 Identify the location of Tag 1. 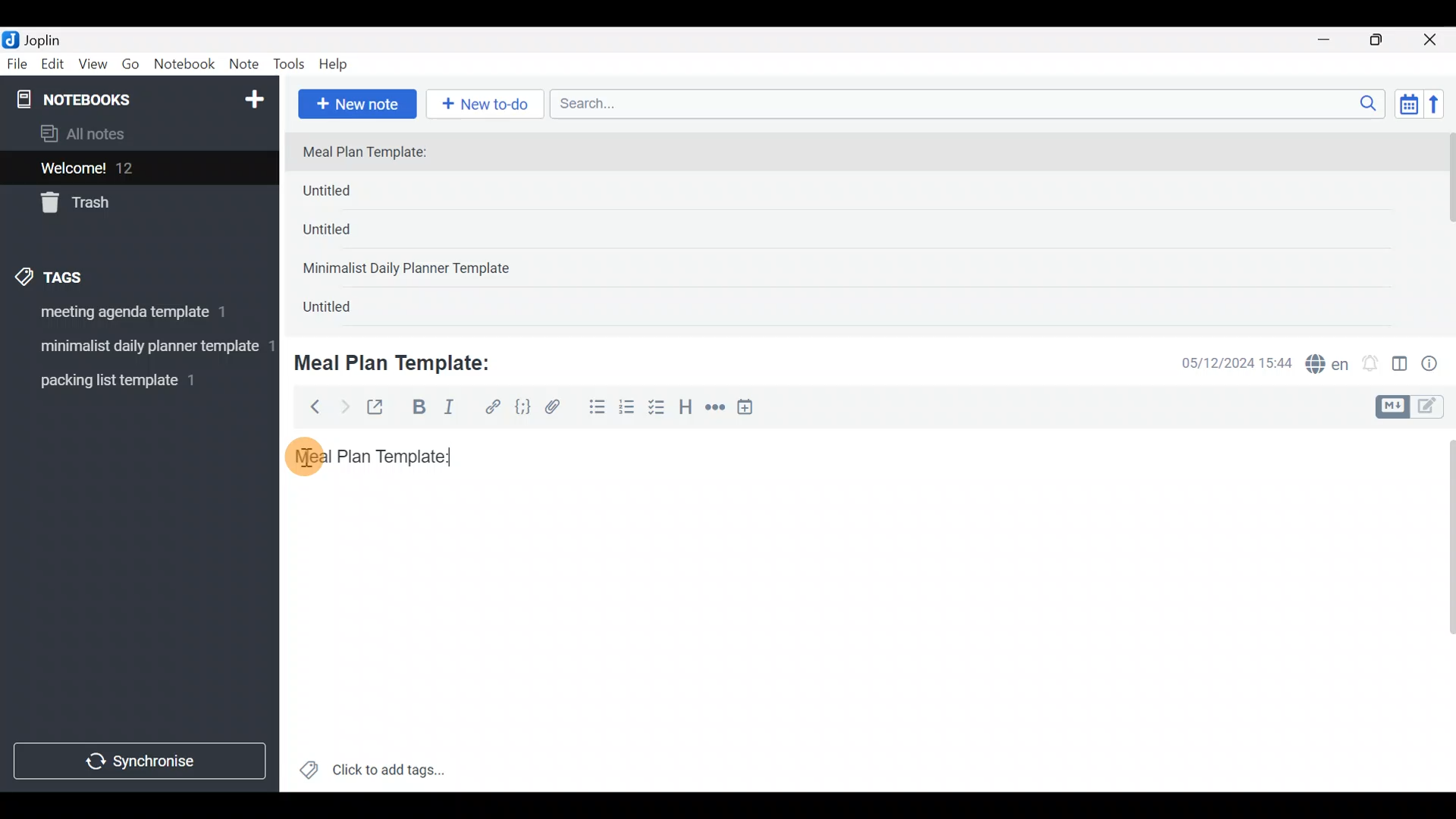
(135, 316).